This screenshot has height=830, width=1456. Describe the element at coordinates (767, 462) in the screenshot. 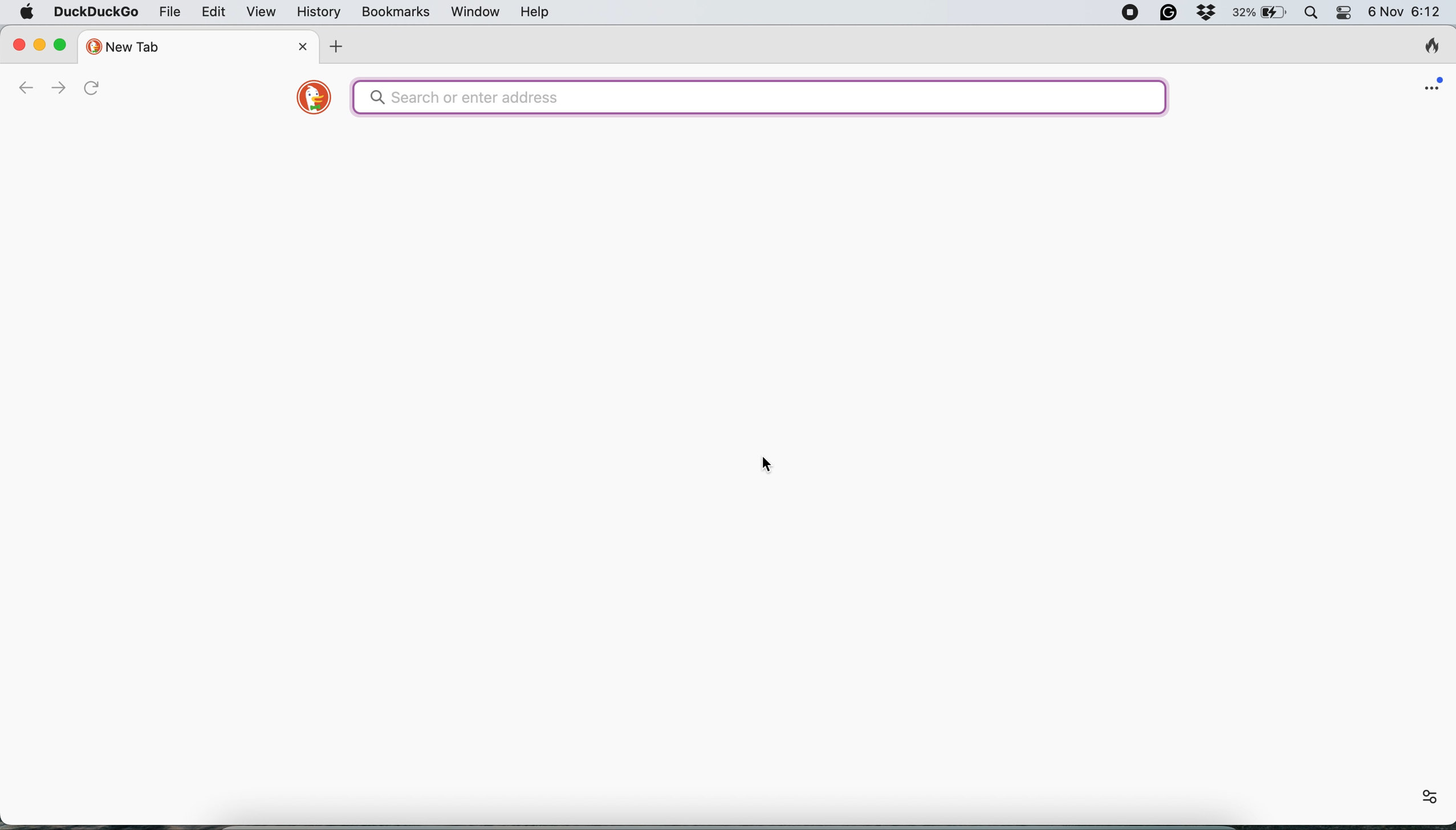

I see `cursor` at that location.